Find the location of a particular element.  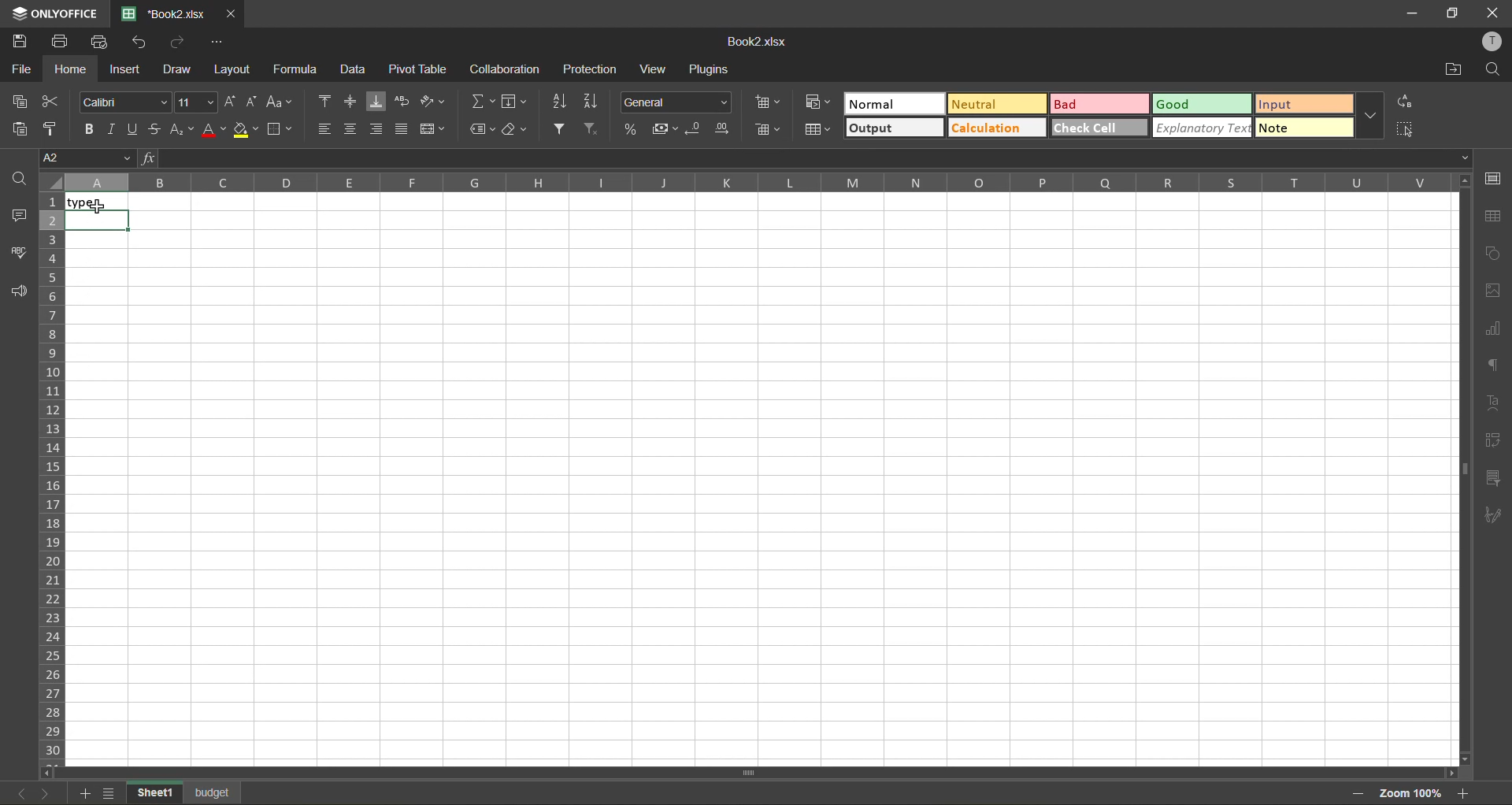

normal is located at coordinates (895, 102).